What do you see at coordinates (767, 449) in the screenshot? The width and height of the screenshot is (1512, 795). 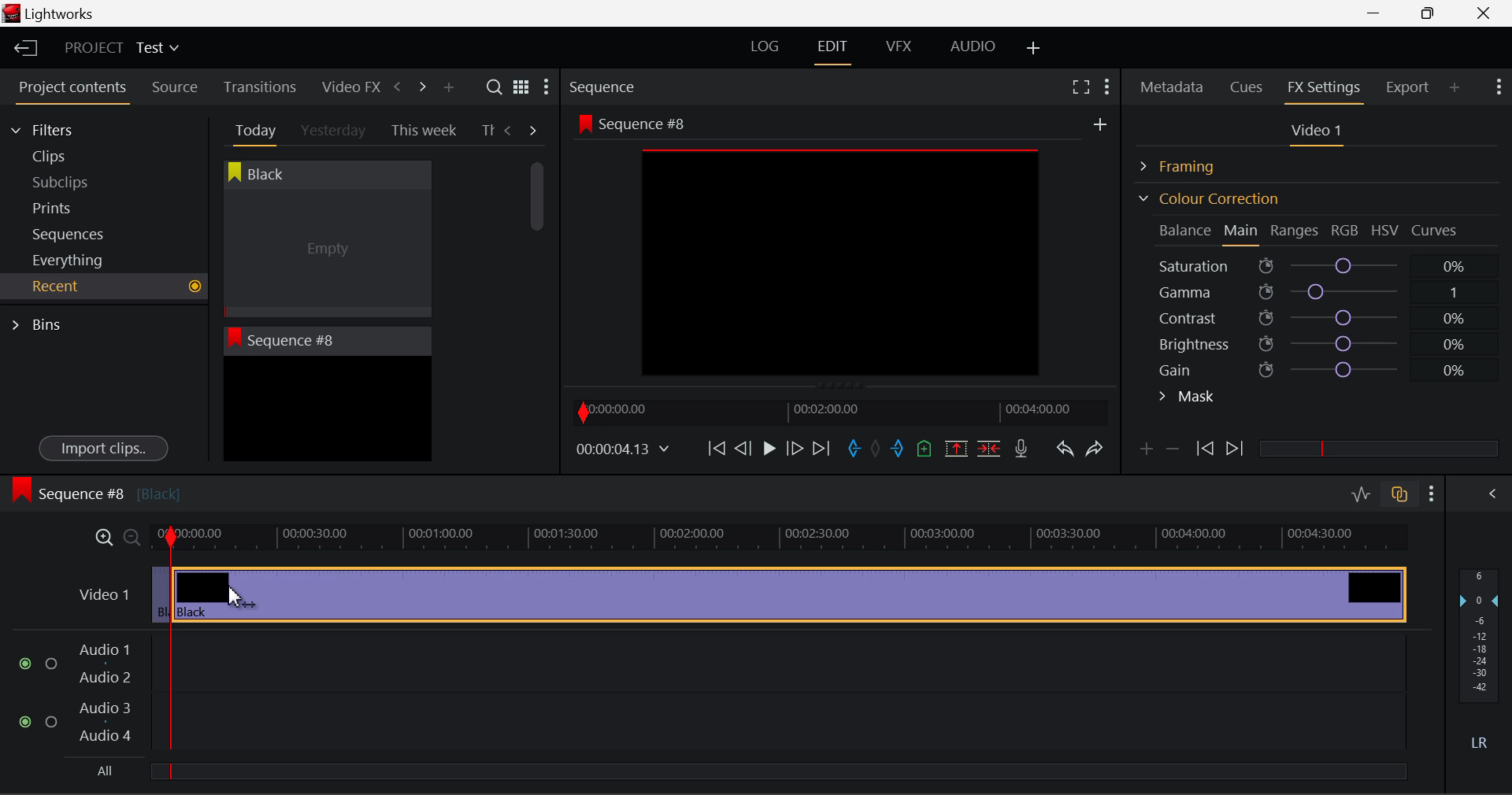 I see `Play` at bounding box center [767, 449].